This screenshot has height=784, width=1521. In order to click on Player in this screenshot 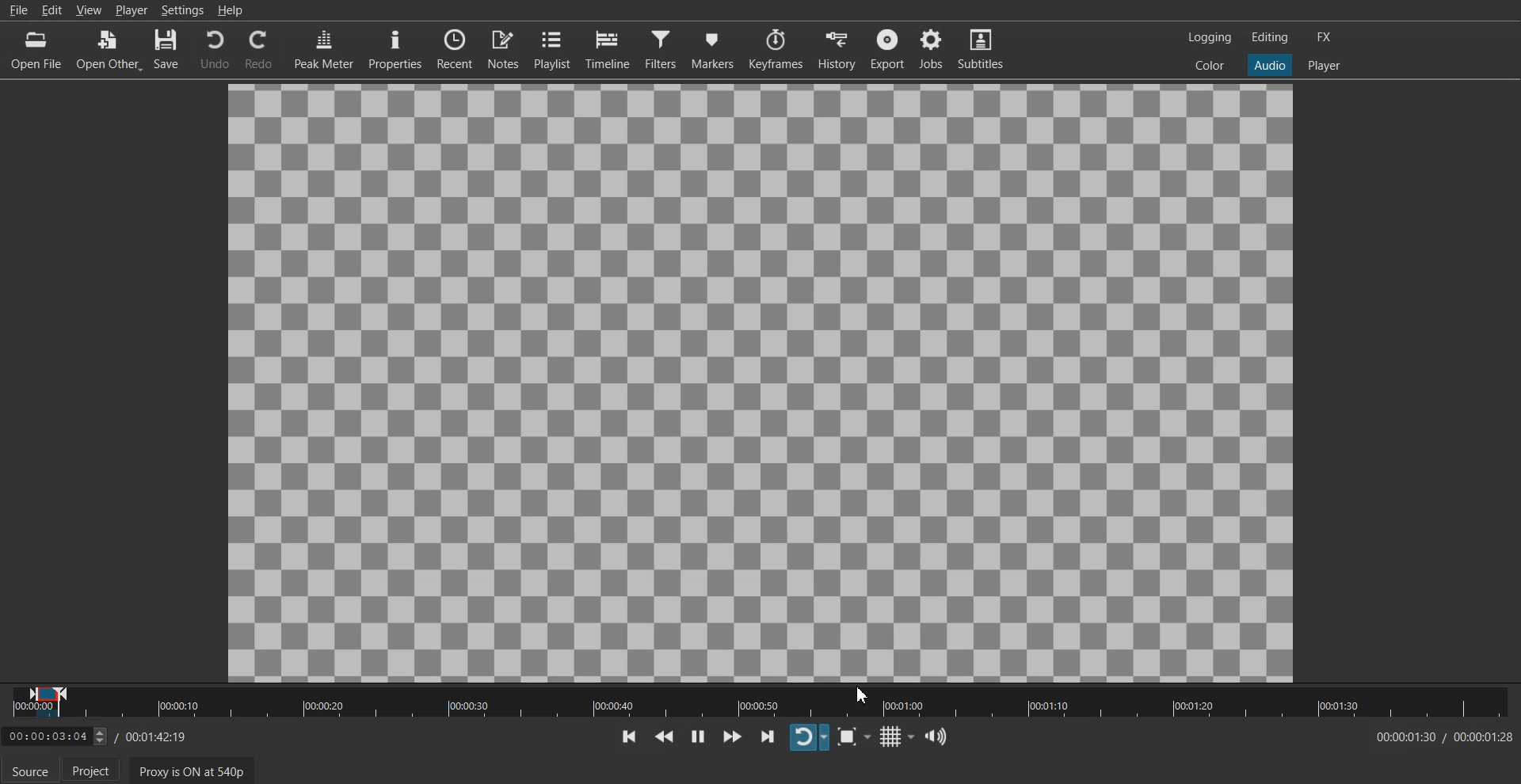, I will do `click(131, 10)`.